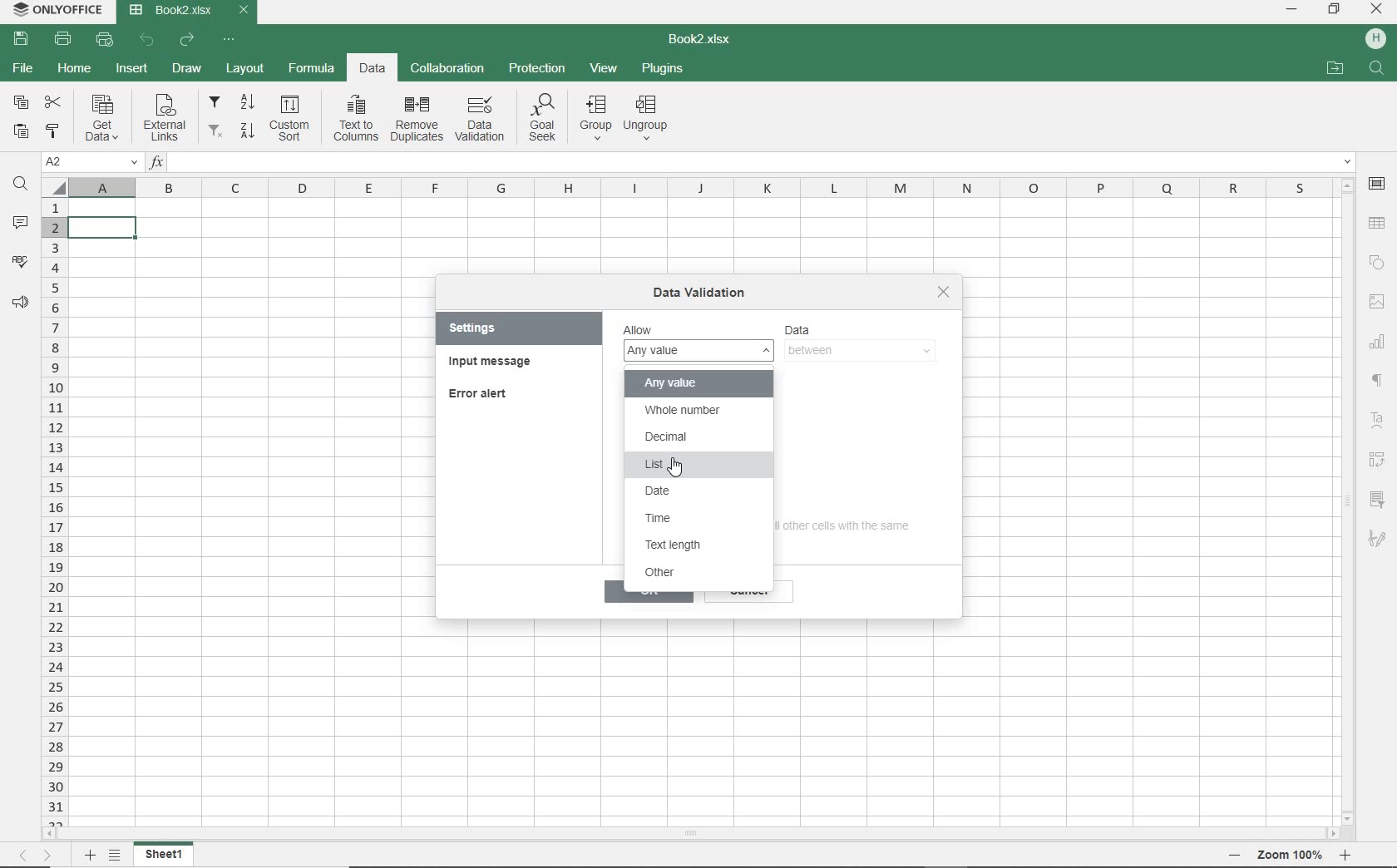 This screenshot has width=1397, height=868. I want to click on SHEET 1, so click(165, 855).